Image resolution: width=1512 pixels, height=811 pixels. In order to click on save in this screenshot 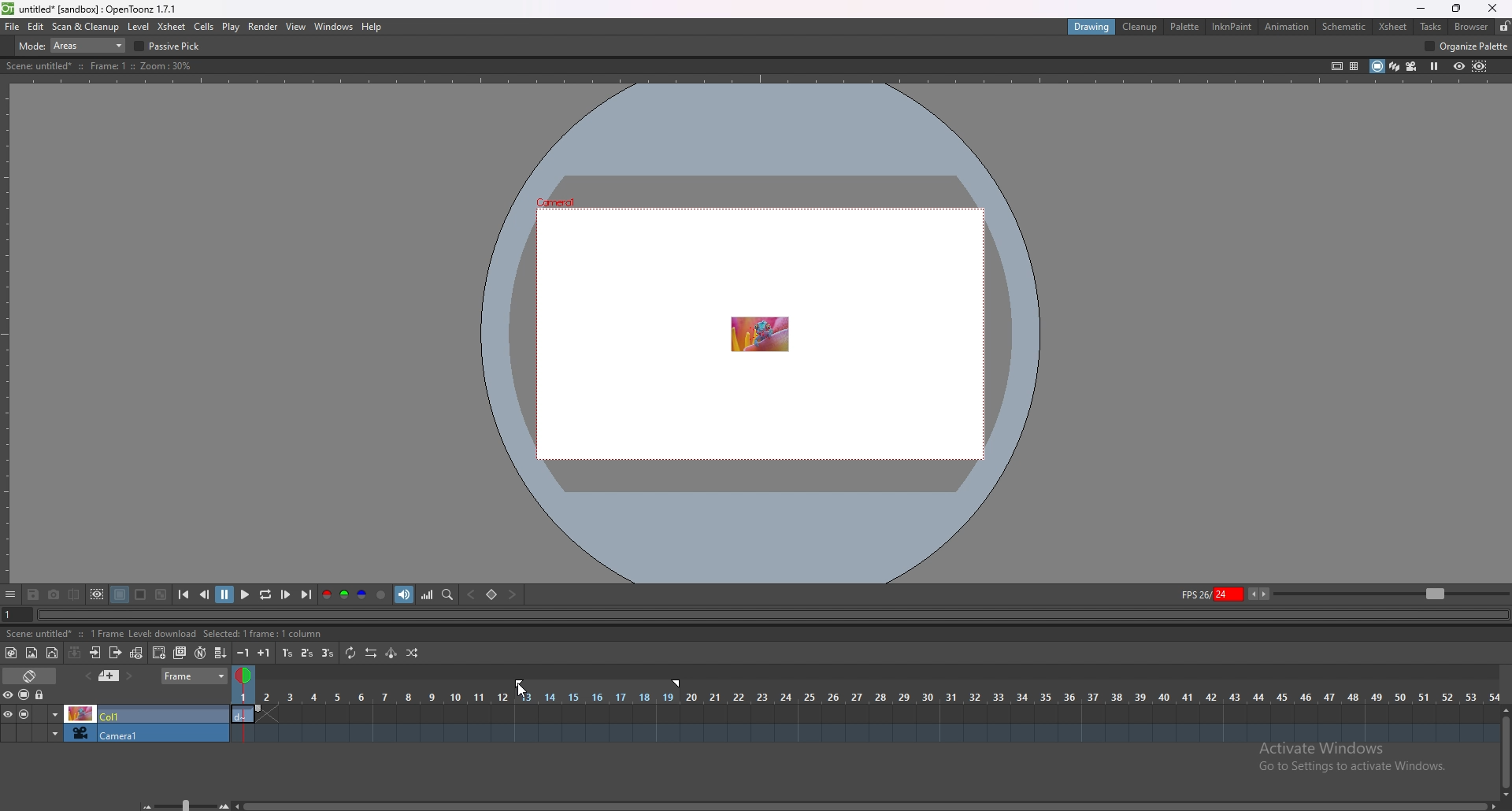, I will do `click(33, 595)`.